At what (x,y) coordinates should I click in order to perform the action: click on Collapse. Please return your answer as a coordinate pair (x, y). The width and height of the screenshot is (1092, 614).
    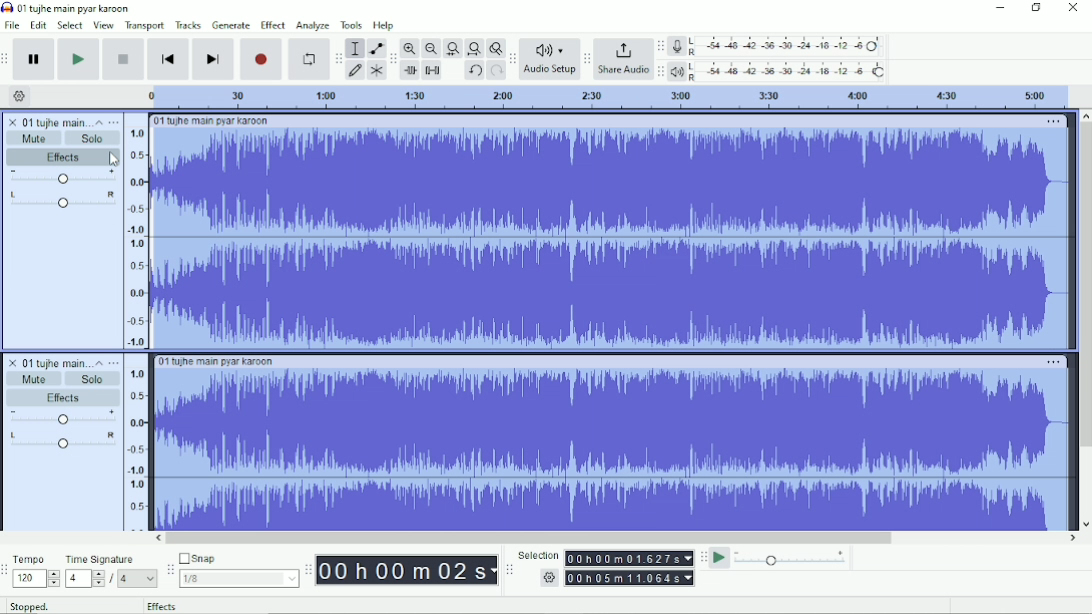
    Looking at the image, I should click on (99, 122).